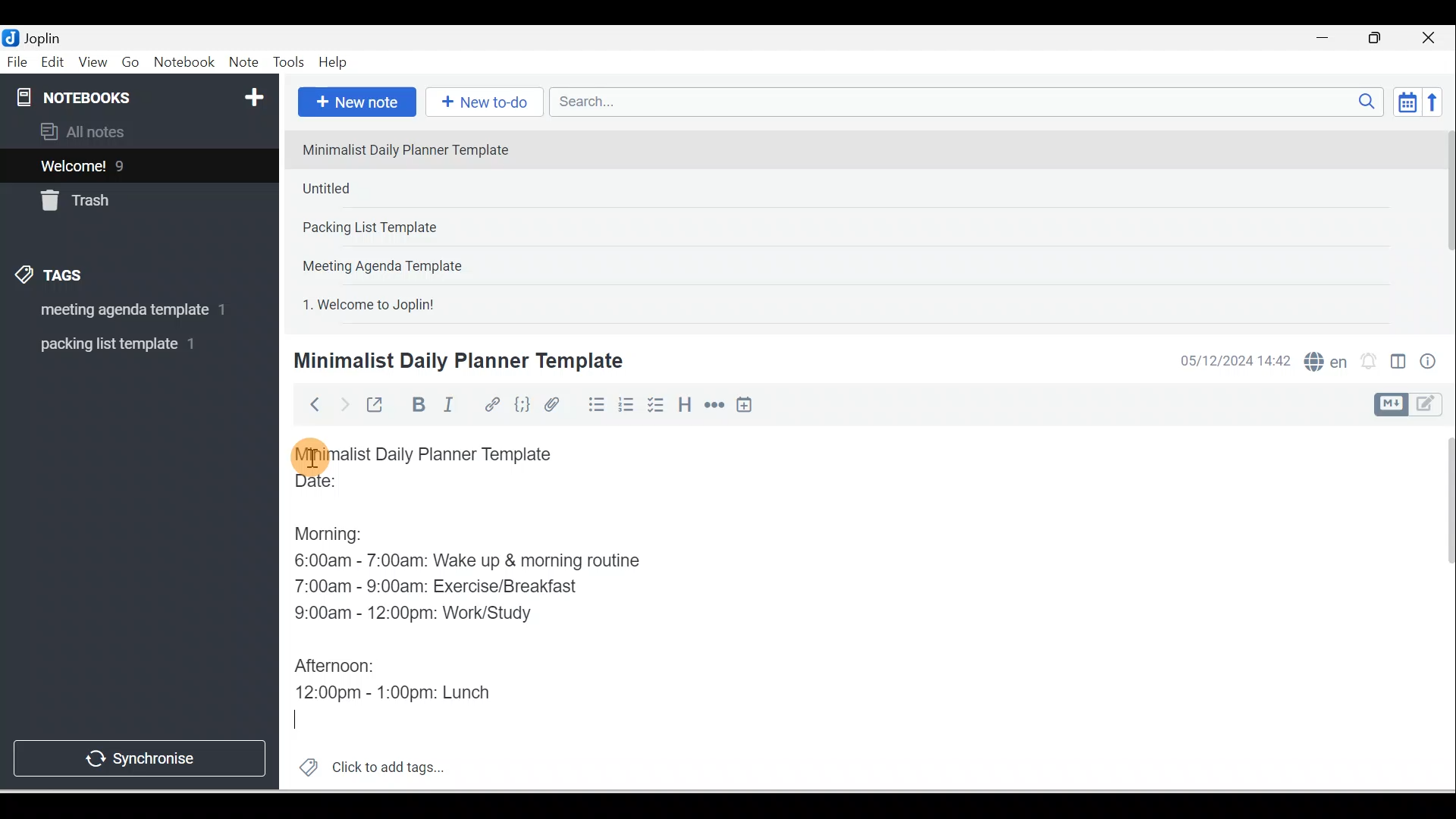 The height and width of the screenshot is (819, 1456). What do you see at coordinates (1380, 39) in the screenshot?
I see `Maximise` at bounding box center [1380, 39].